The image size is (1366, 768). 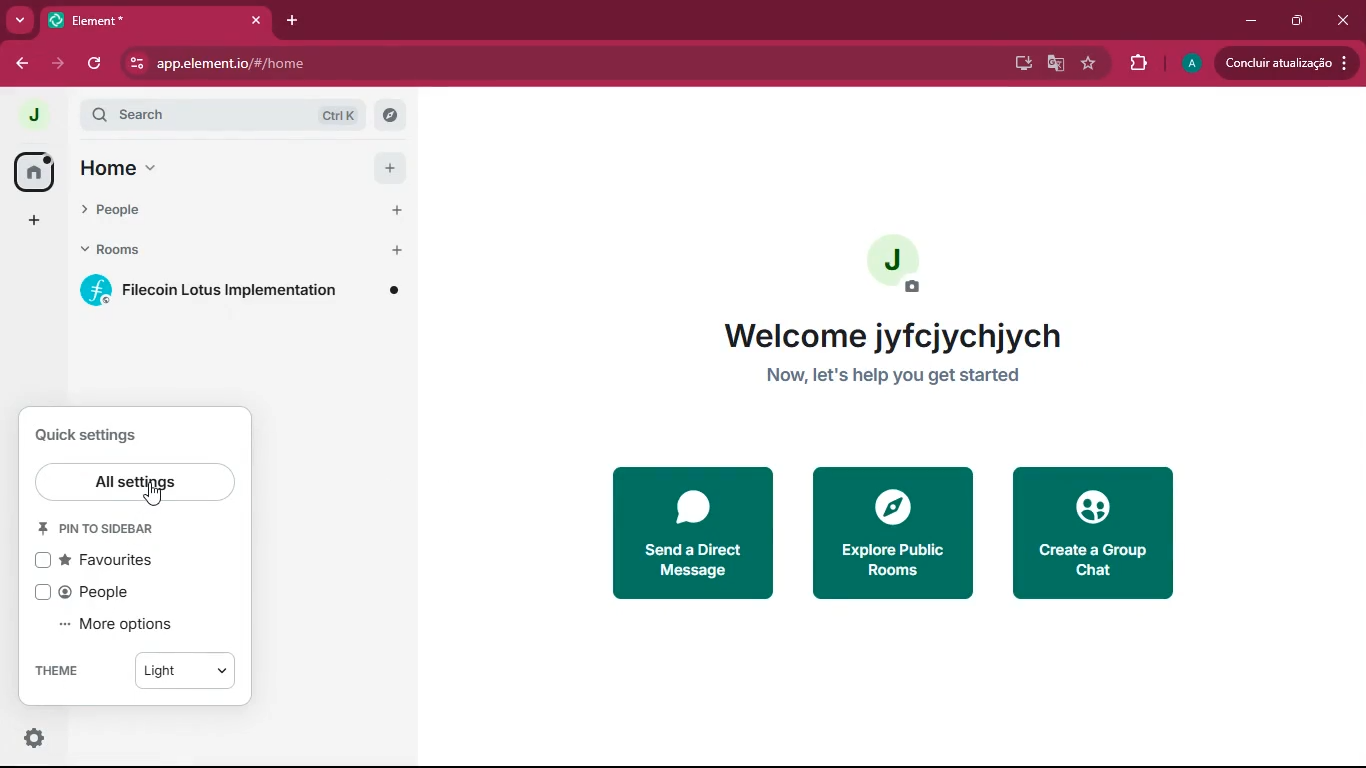 I want to click on pin, so click(x=114, y=529).